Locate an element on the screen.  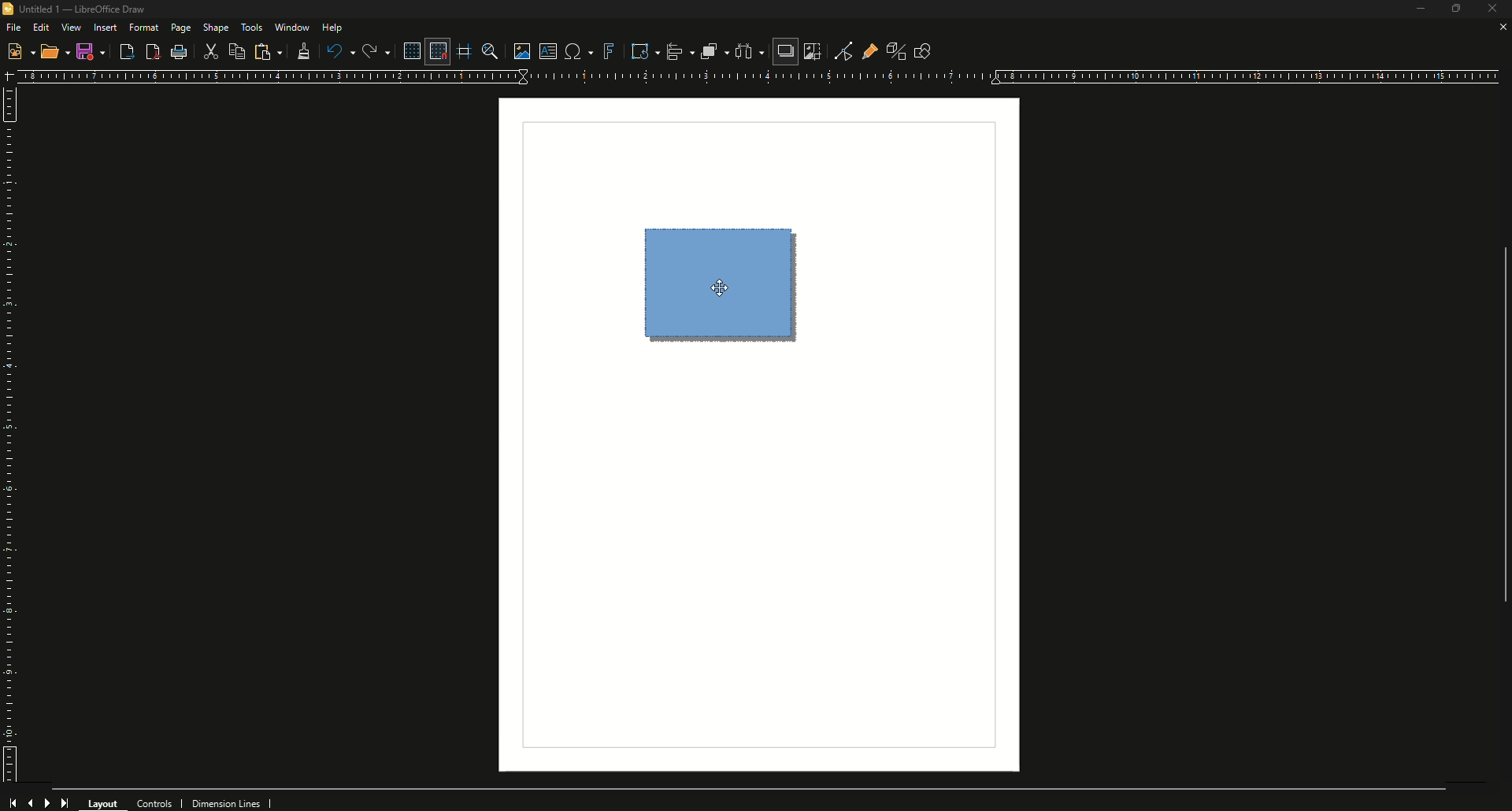
Save is located at coordinates (91, 51).